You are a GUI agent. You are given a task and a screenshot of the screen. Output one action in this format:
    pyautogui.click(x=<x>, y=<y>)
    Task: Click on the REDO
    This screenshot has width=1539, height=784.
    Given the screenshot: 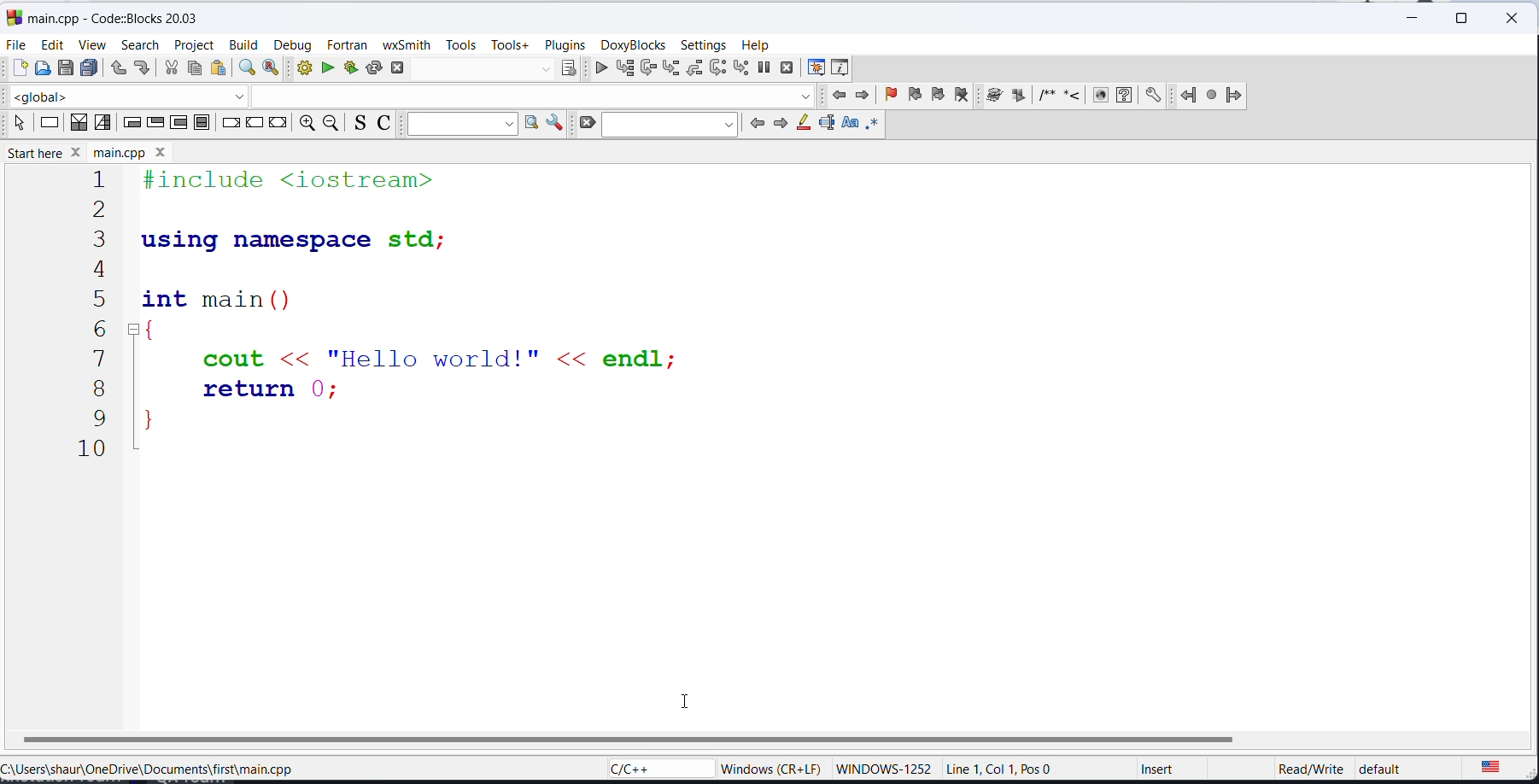 What is the action you would take?
    pyautogui.click(x=142, y=67)
    